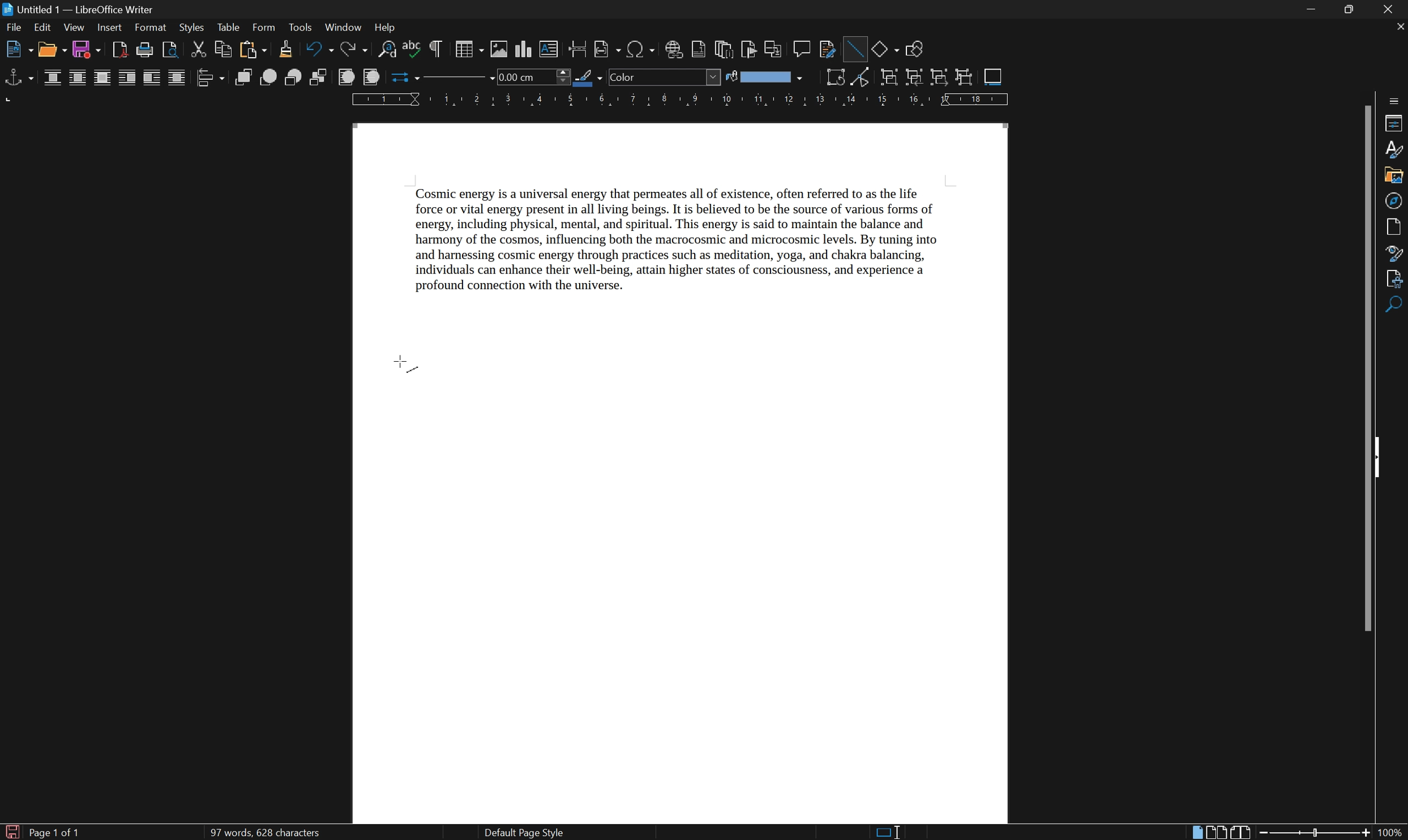  I want to click on 100%, so click(1391, 833).